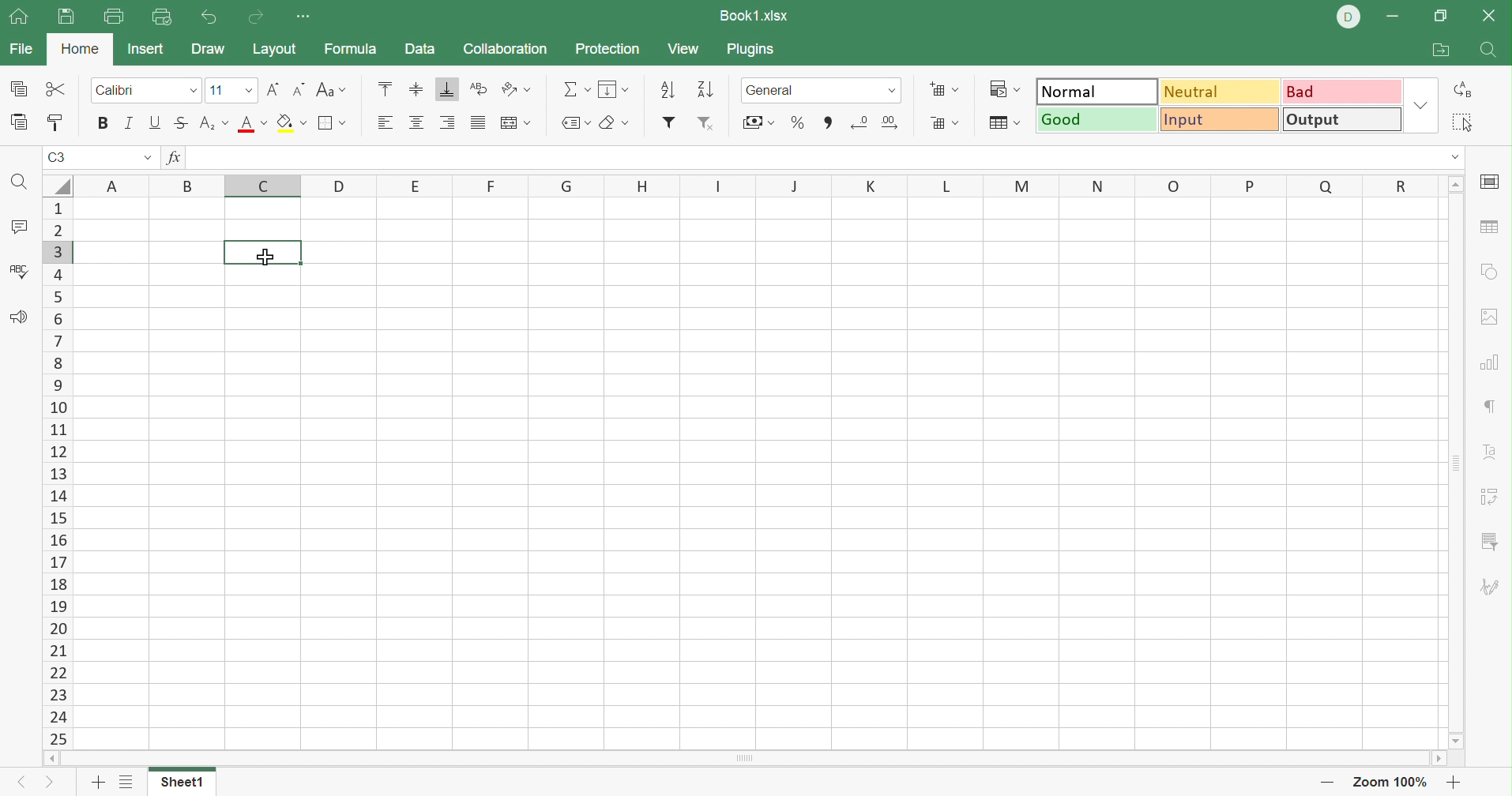 This screenshot has width=1512, height=796. What do you see at coordinates (296, 90) in the screenshot?
I see `Decrement font size` at bounding box center [296, 90].